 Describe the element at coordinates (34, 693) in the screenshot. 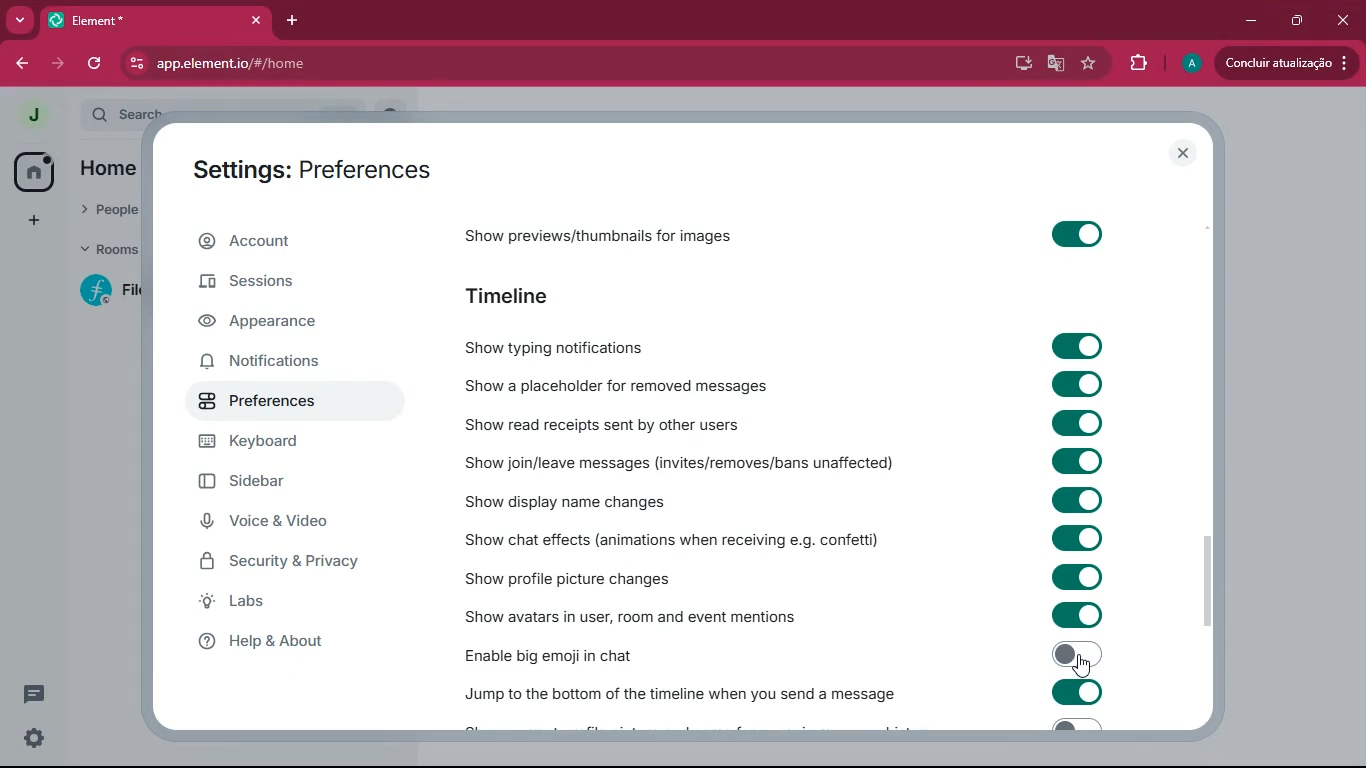

I see `conversation` at that location.